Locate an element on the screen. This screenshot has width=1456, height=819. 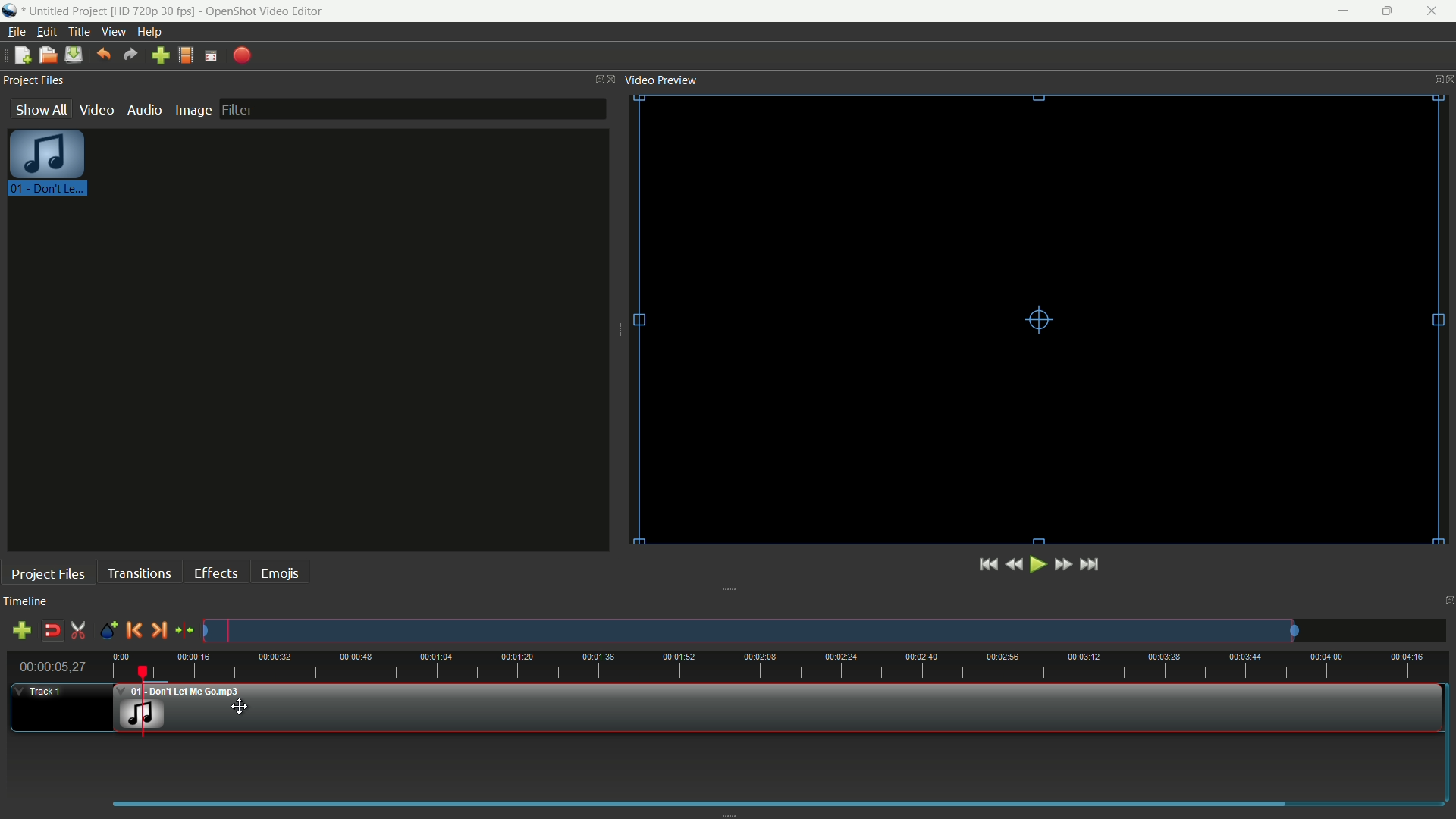
disable snap is located at coordinates (52, 631).